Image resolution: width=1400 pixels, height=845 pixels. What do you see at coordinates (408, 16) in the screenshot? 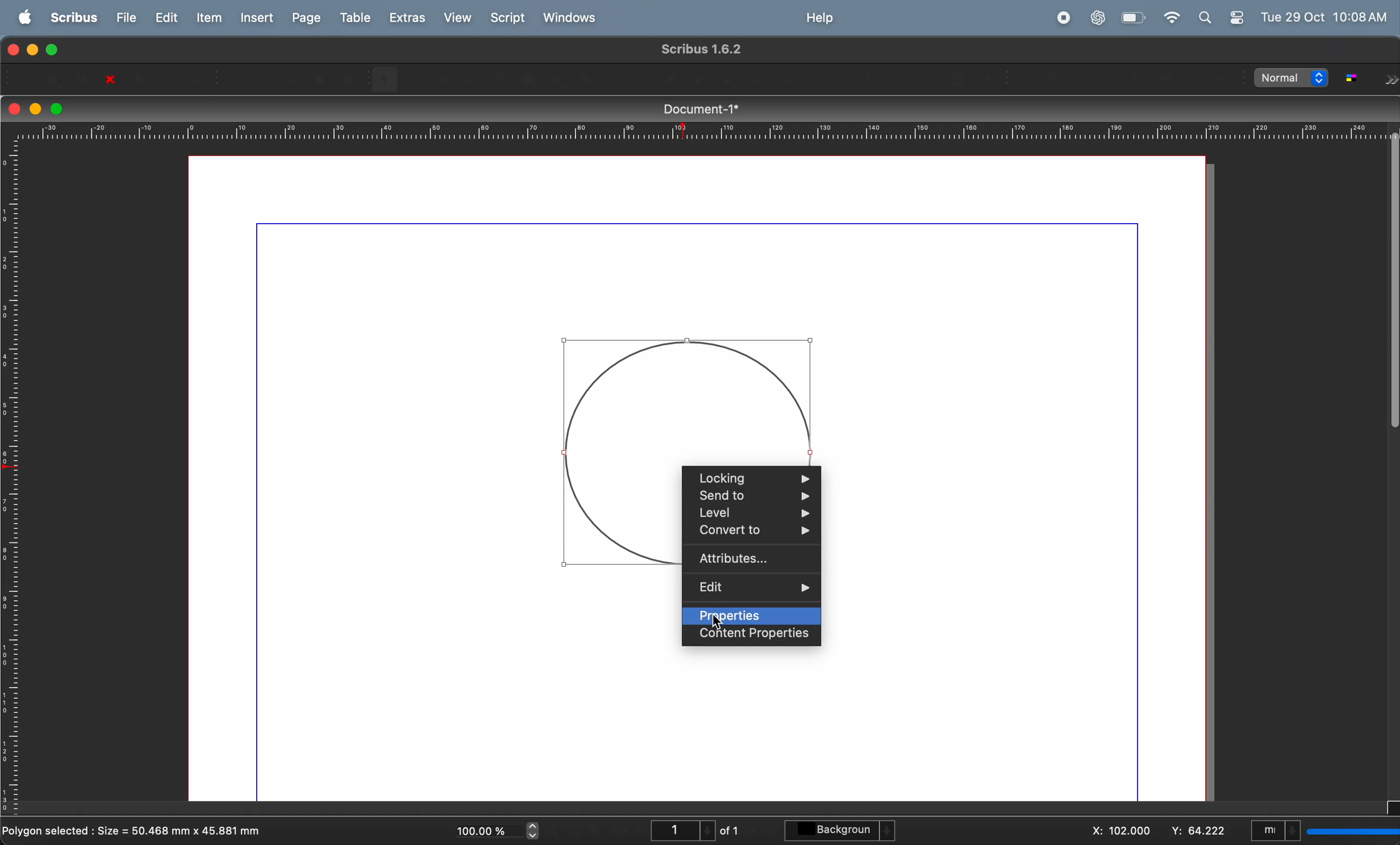
I see `extras` at bounding box center [408, 16].